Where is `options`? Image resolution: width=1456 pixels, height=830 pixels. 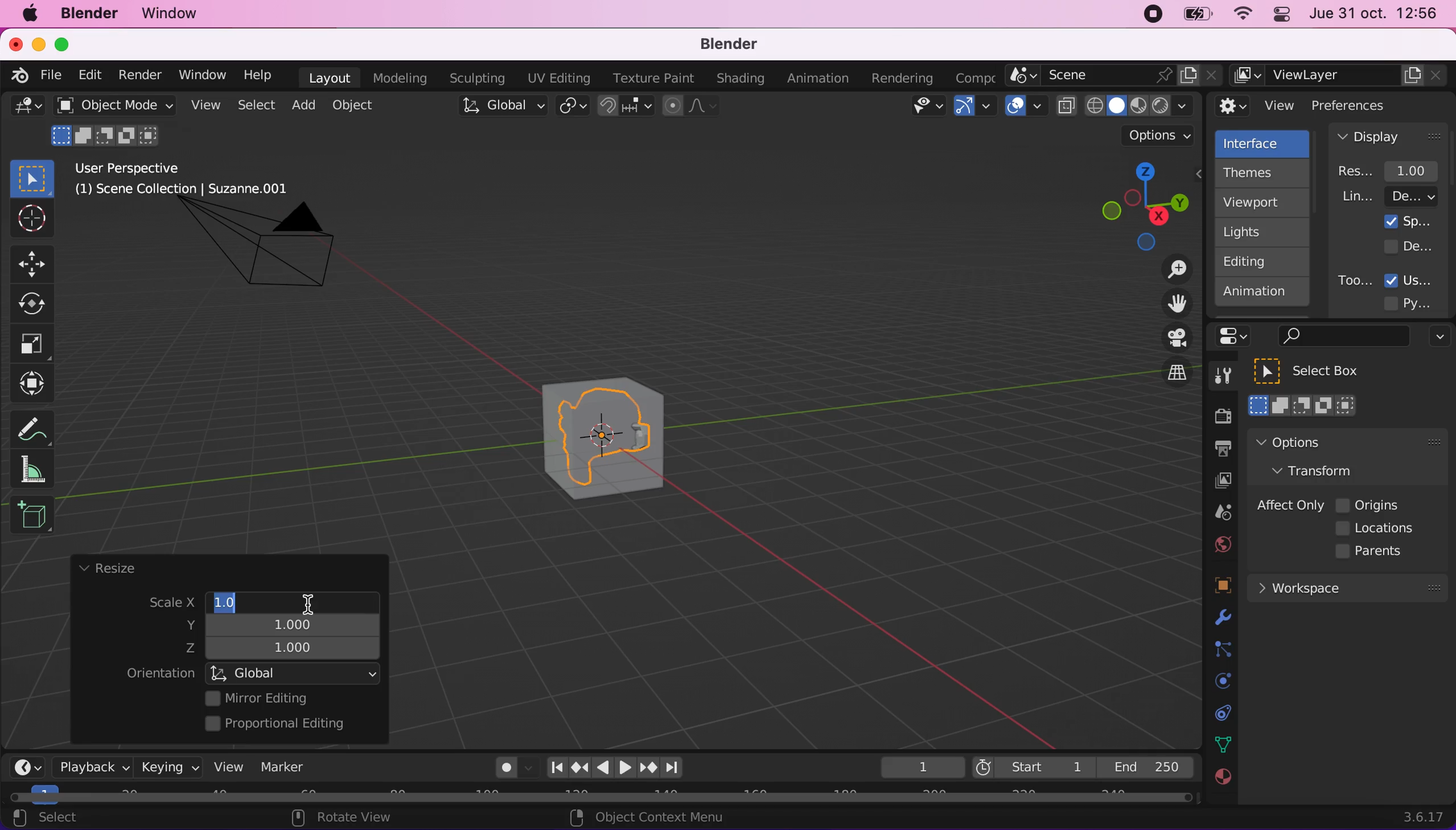 options is located at coordinates (1160, 136).